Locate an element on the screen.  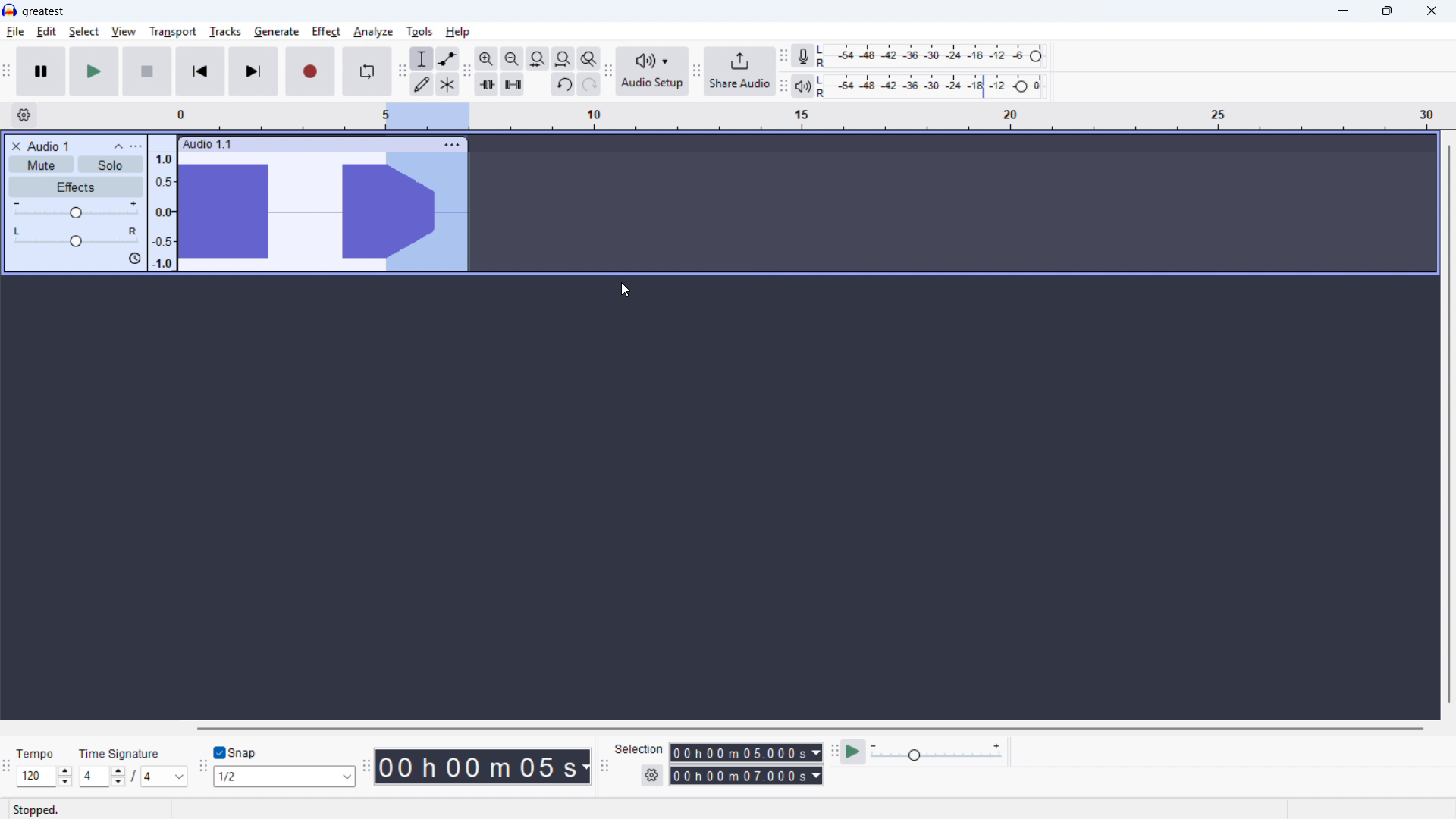
analyse is located at coordinates (372, 33).